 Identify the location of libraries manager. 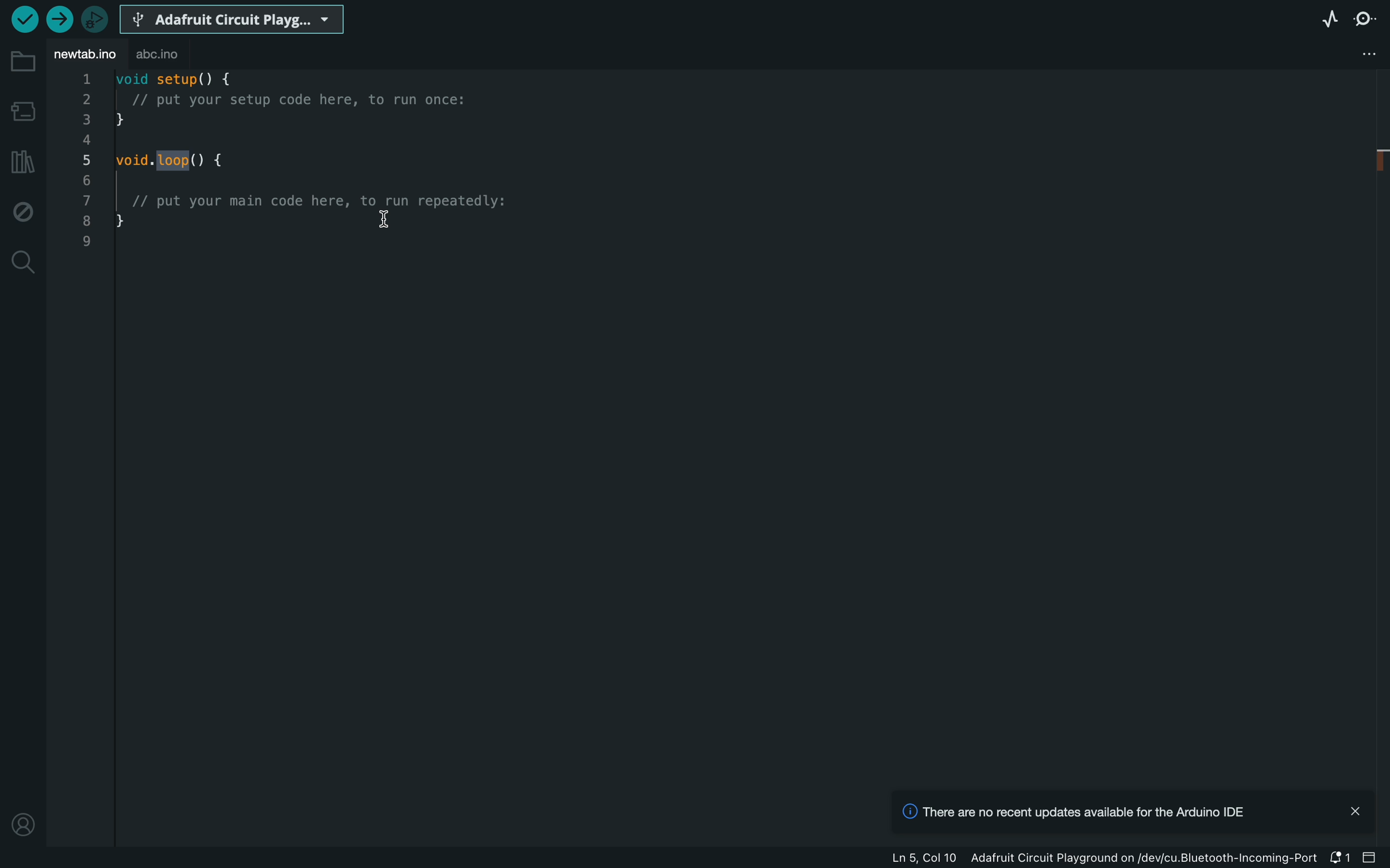
(23, 158).